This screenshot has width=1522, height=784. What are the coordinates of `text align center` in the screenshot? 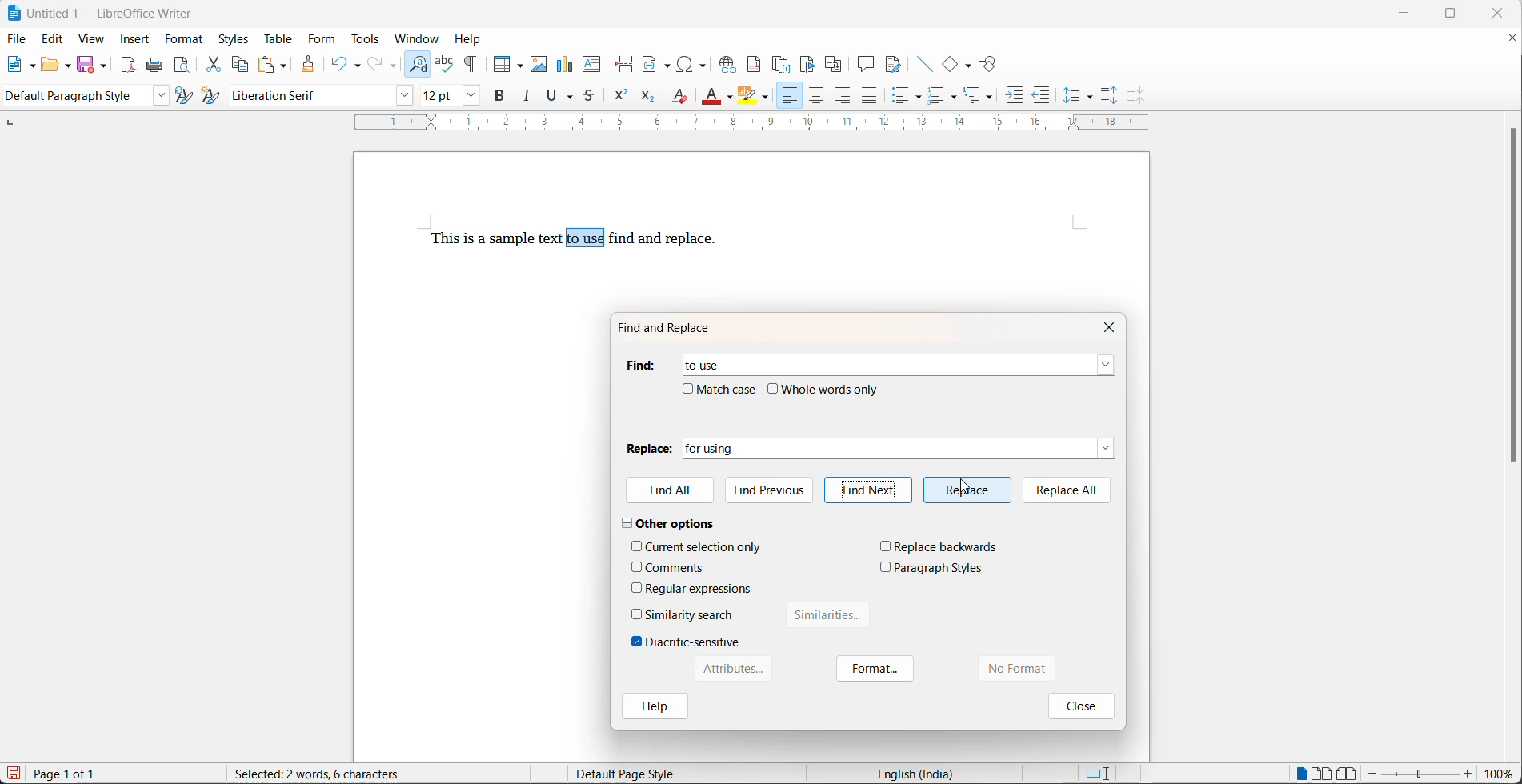 It's located at (817, 97).